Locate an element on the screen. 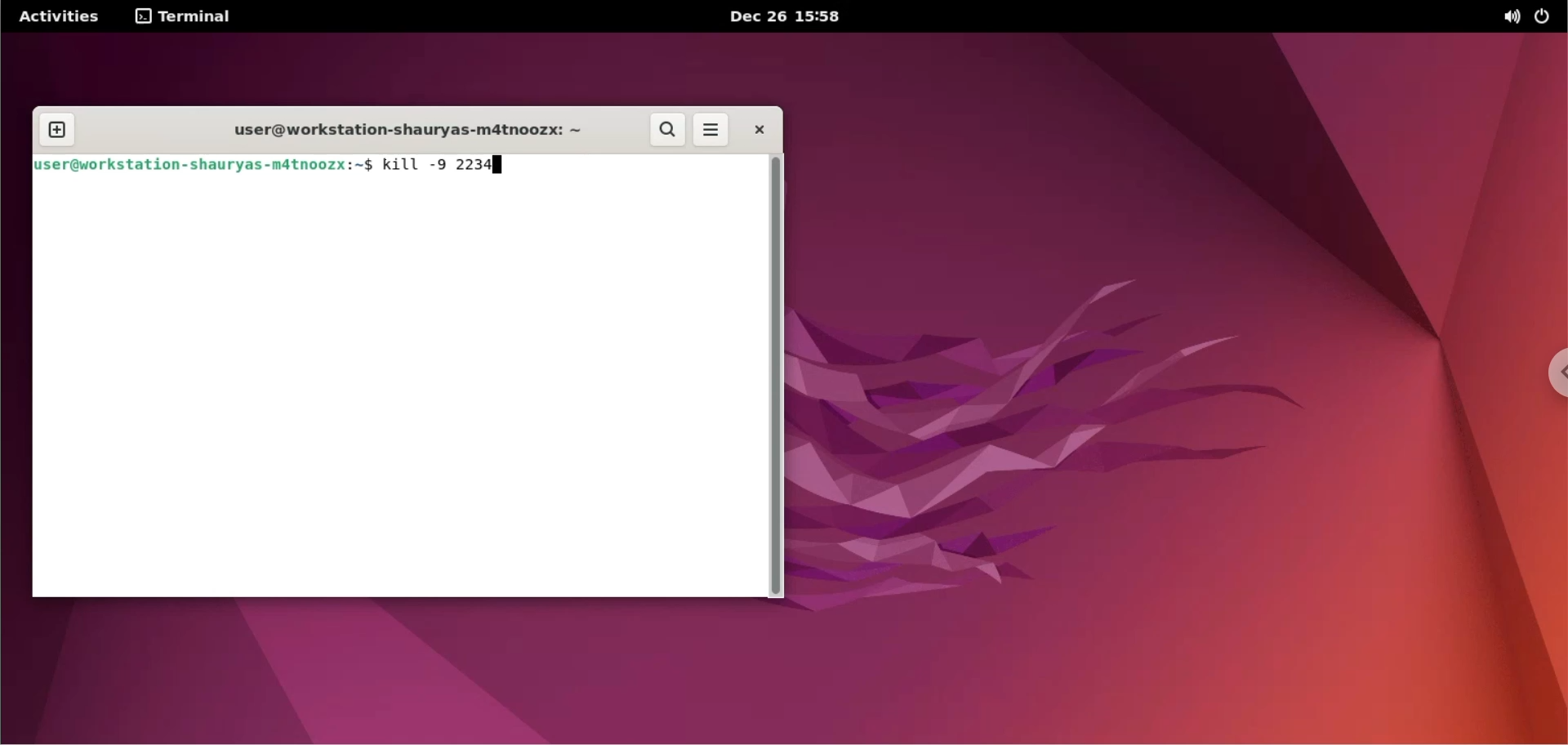  search is located at coordinates (668, 130).